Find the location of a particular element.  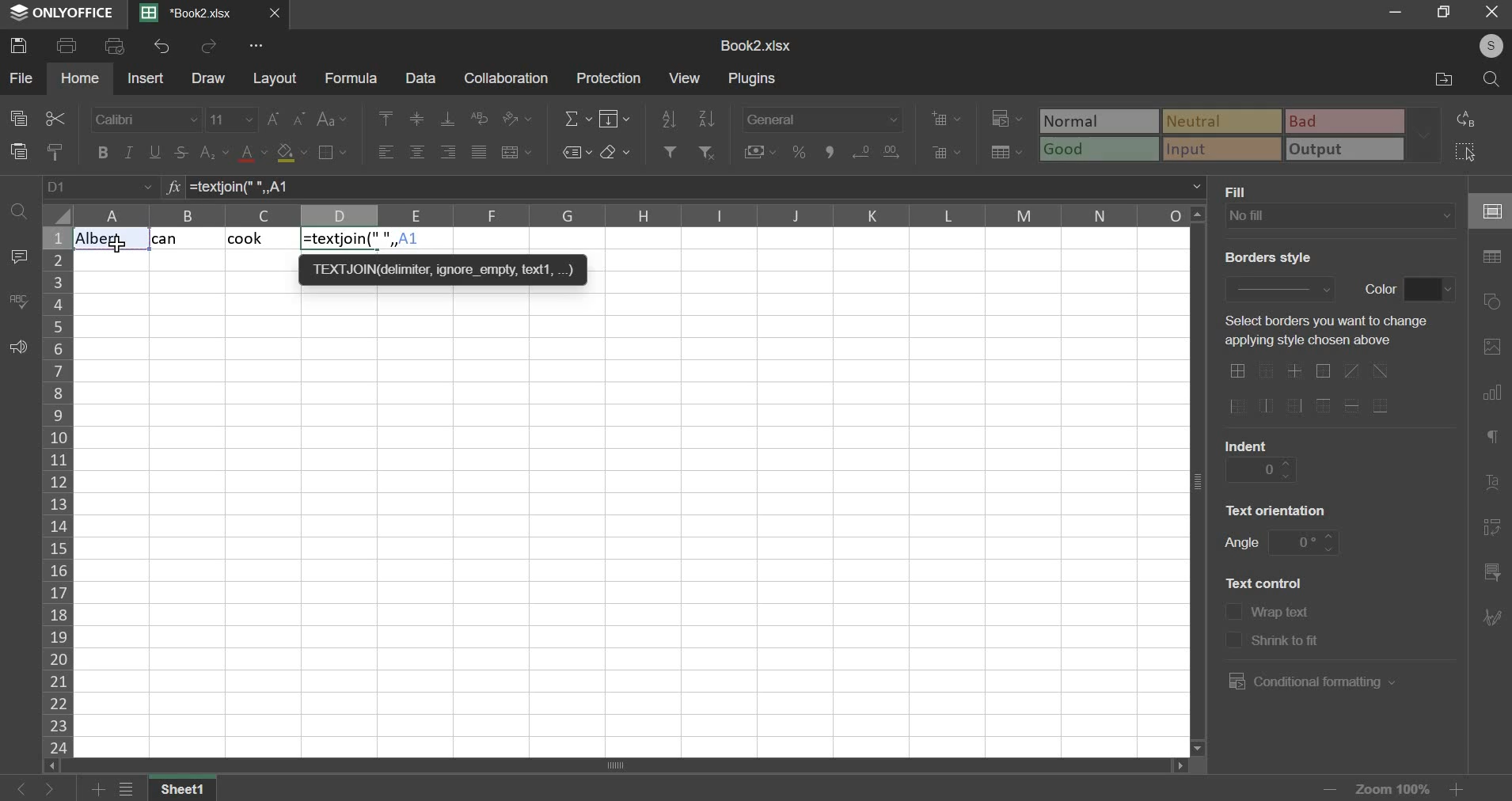

draw is located at coordinates (209, 79).